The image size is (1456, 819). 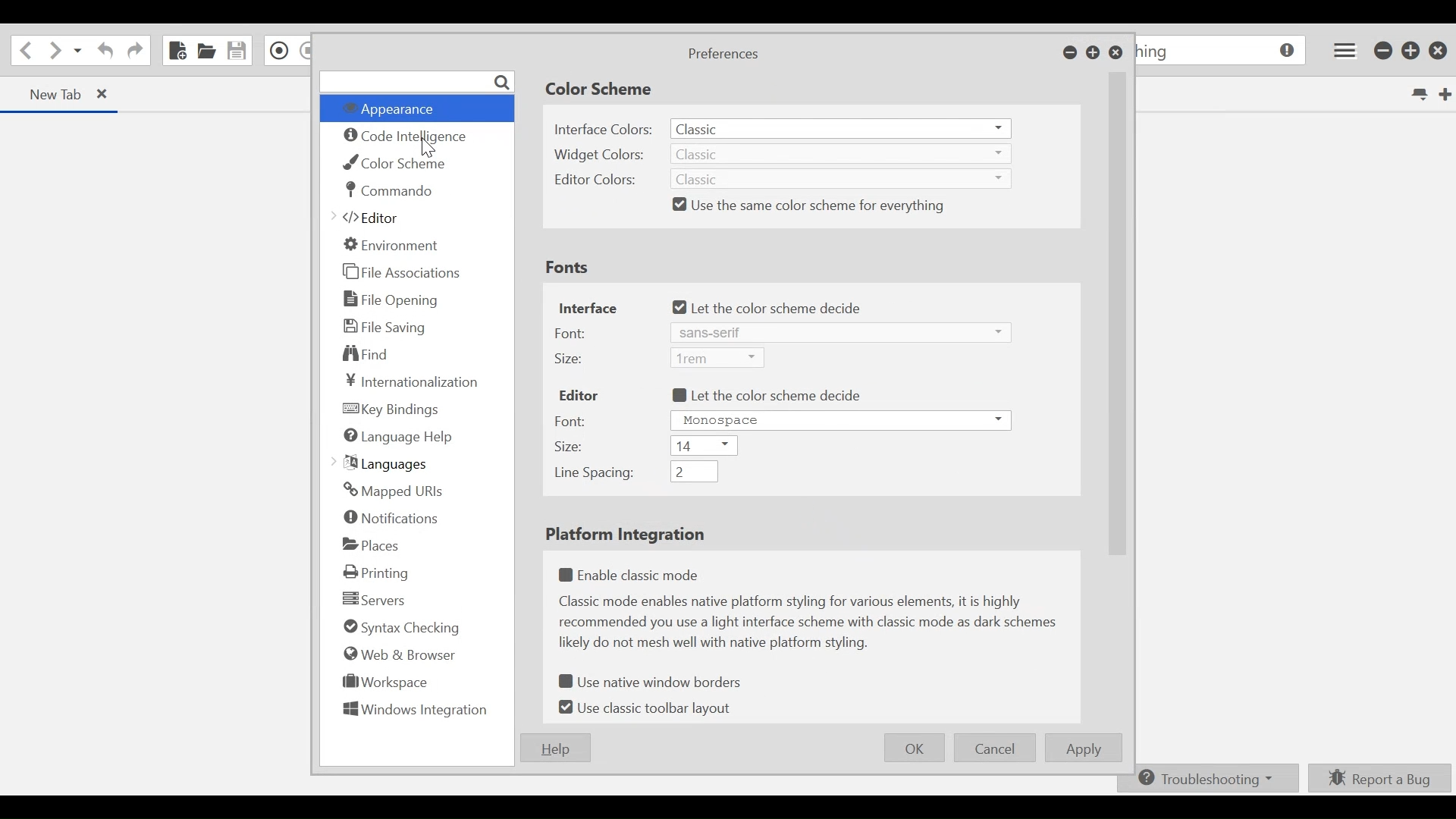 I want to click on Color Scheme, so click(x=598, y=90).